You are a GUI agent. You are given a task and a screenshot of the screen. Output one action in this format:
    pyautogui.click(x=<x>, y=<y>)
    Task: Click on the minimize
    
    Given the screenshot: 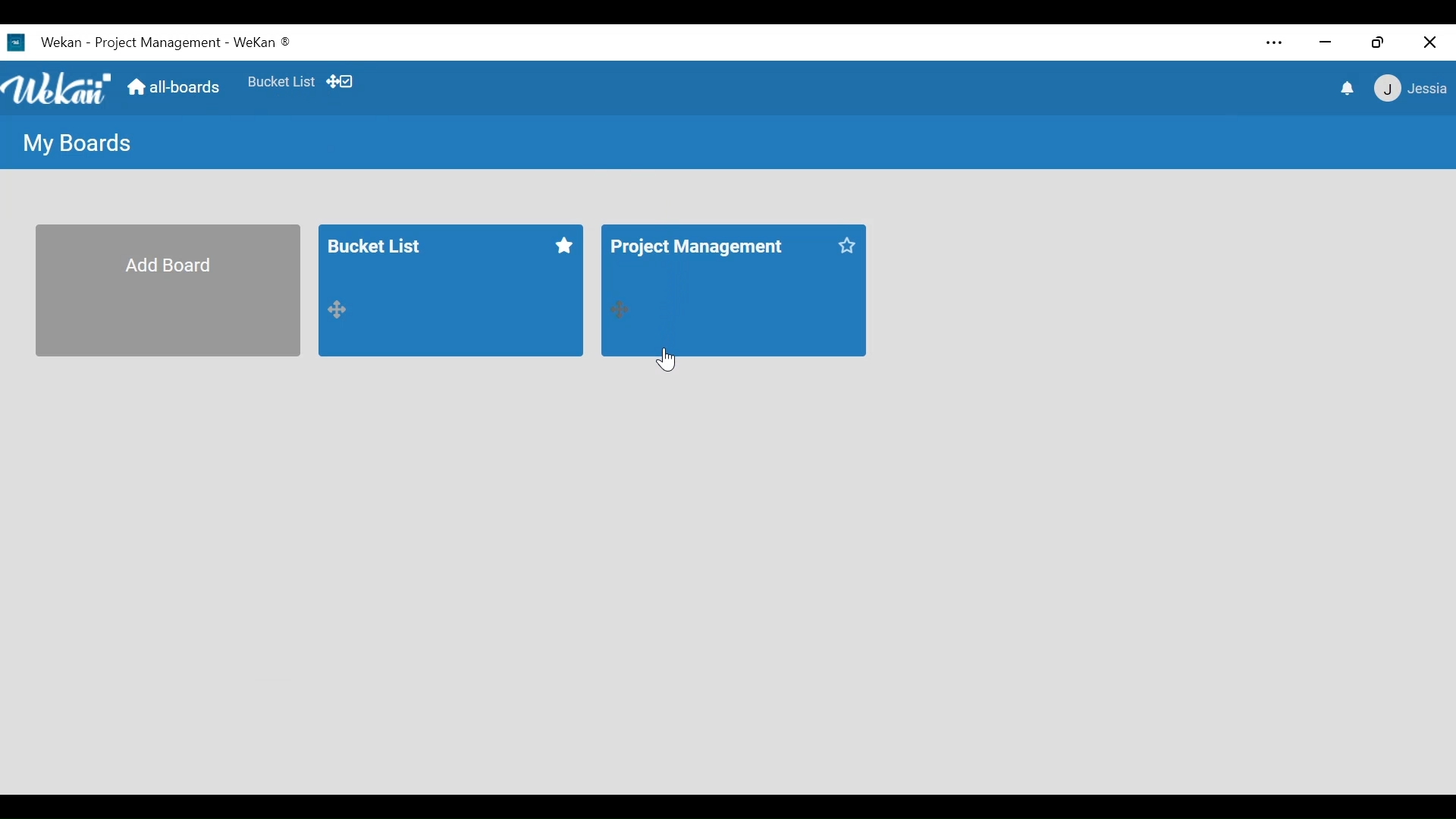 What is the action you would take?
    pyautogui.click(x=1323, y=42)
    